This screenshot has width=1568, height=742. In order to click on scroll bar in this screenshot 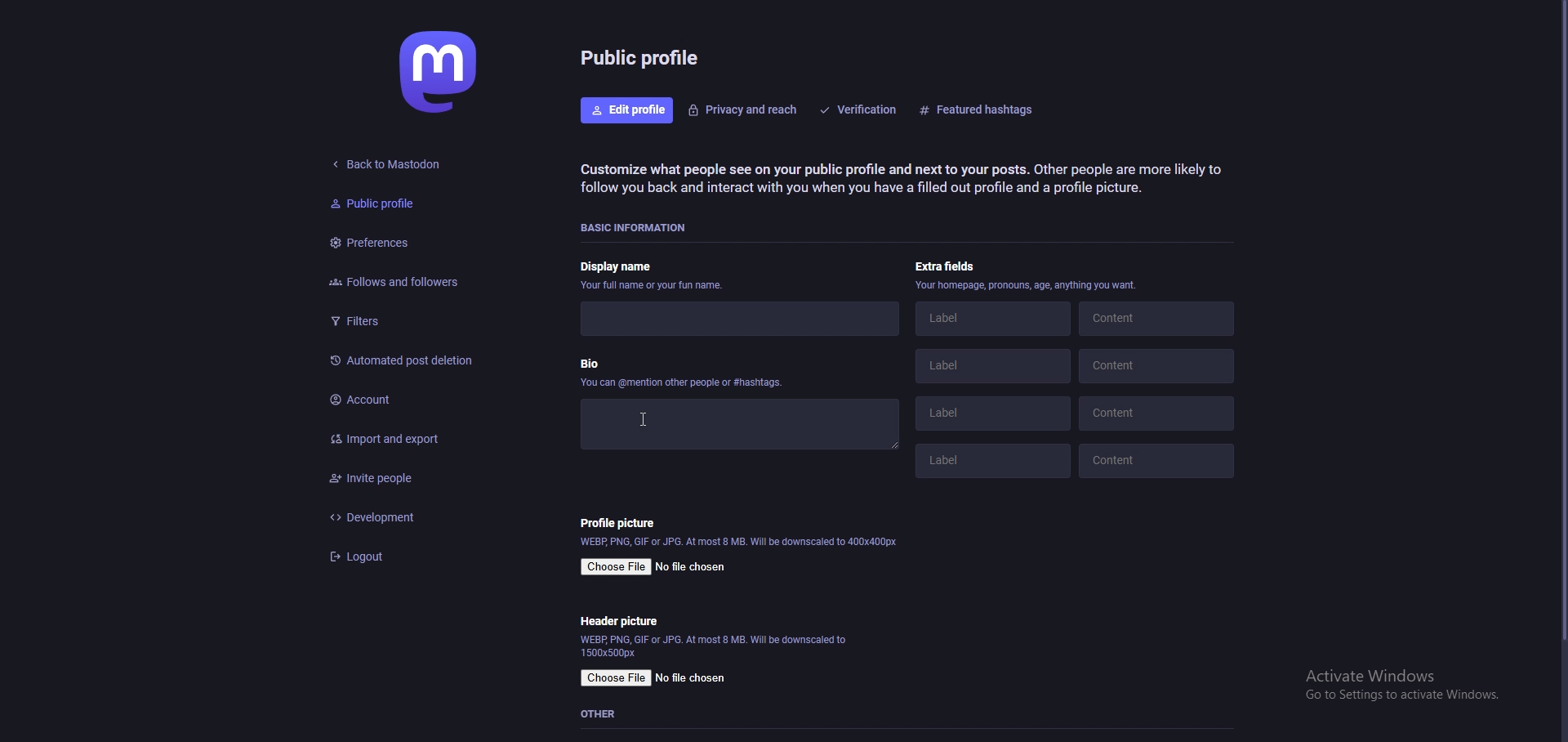, I will do `click(1561, 324)`.